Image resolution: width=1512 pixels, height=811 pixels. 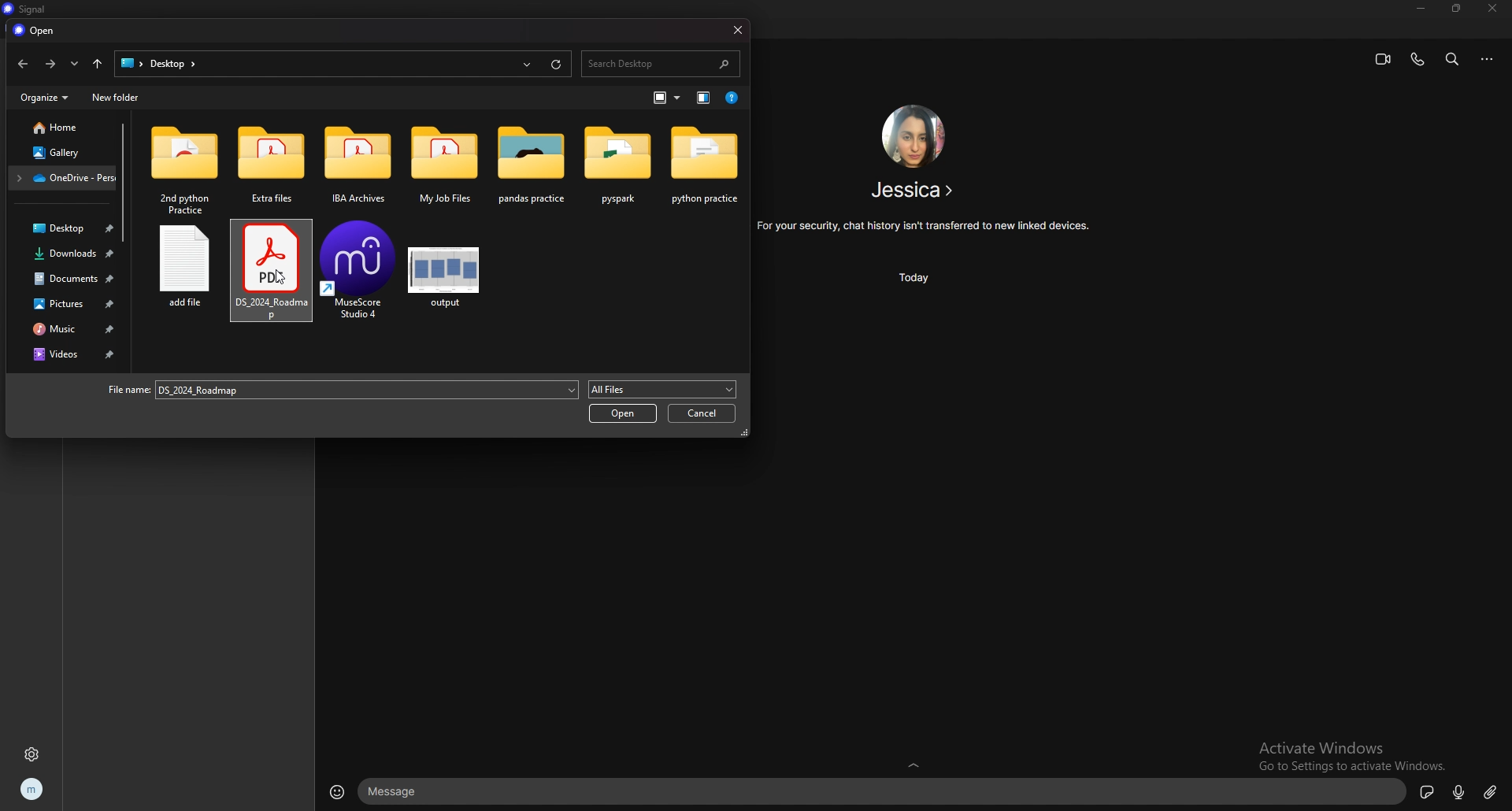 What do you see at coordinates (1383, 59) in the screenshot?
I see `video call` at bounding box center [1383, 59].